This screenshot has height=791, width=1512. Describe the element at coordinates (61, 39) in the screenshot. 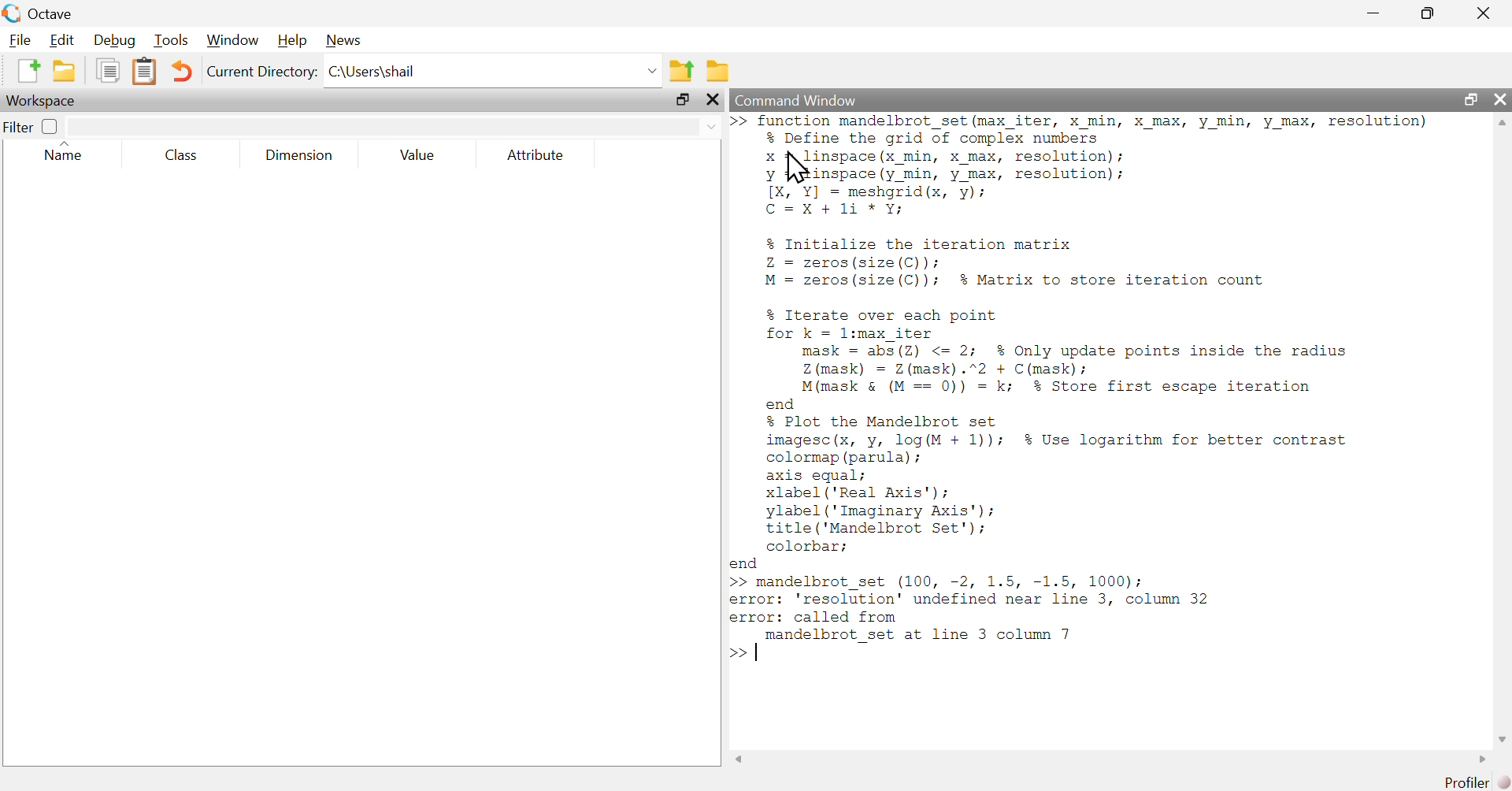

I see `Edit` at that location.